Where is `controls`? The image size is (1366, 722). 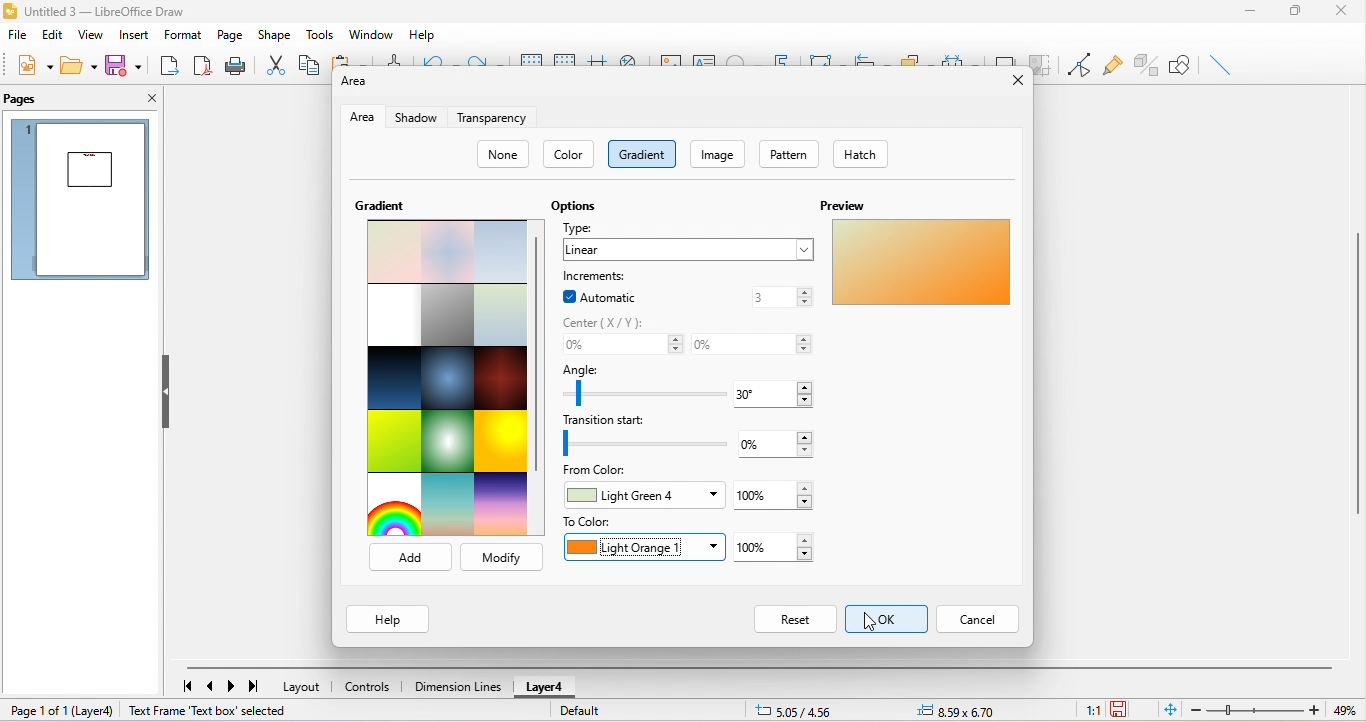 controls is located at coordinates (368, 688).